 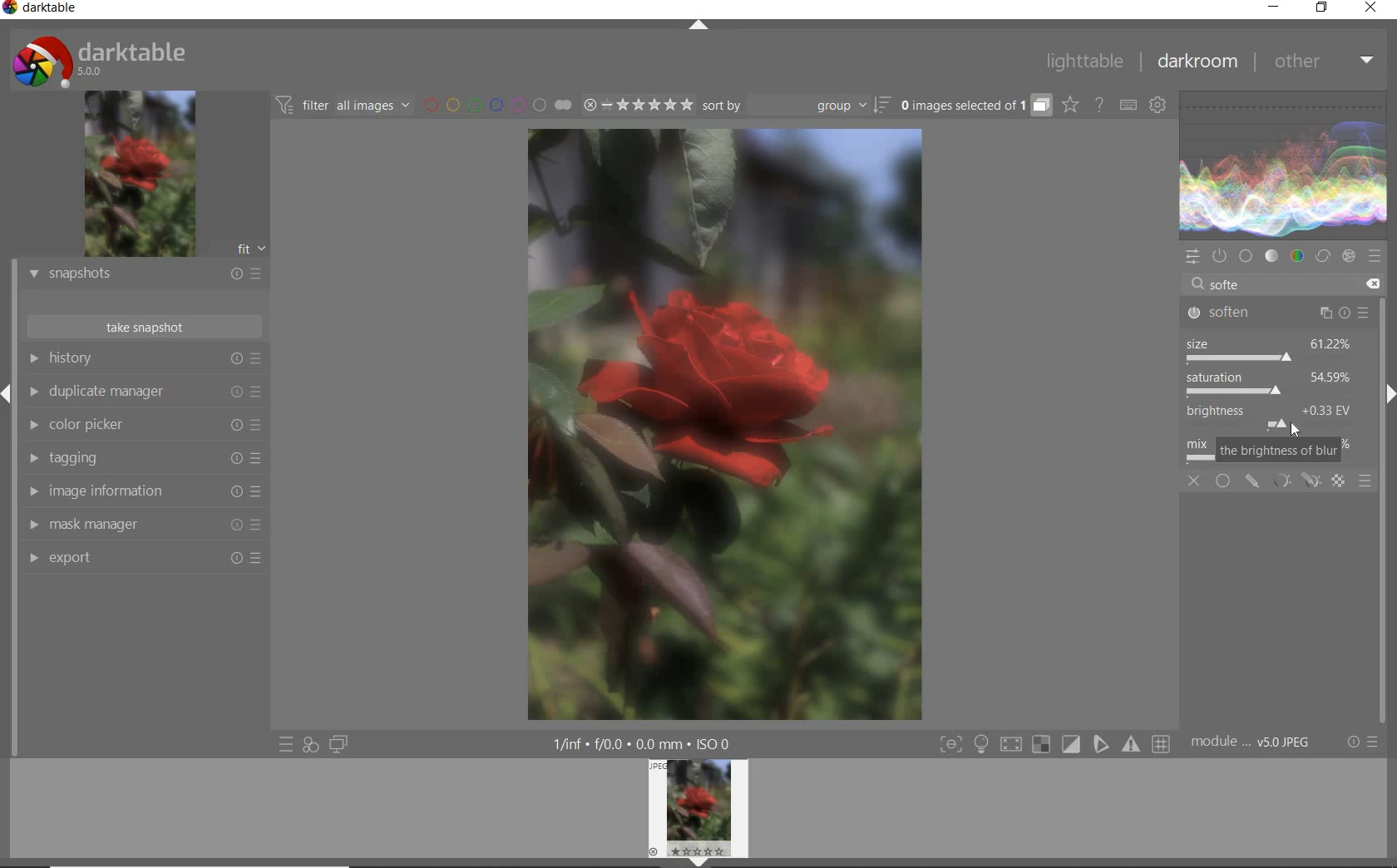 What do you see at coordinates (638, 105) in the screenshot?
I see `range ratings for selected images` at bounding box center [638, 105].